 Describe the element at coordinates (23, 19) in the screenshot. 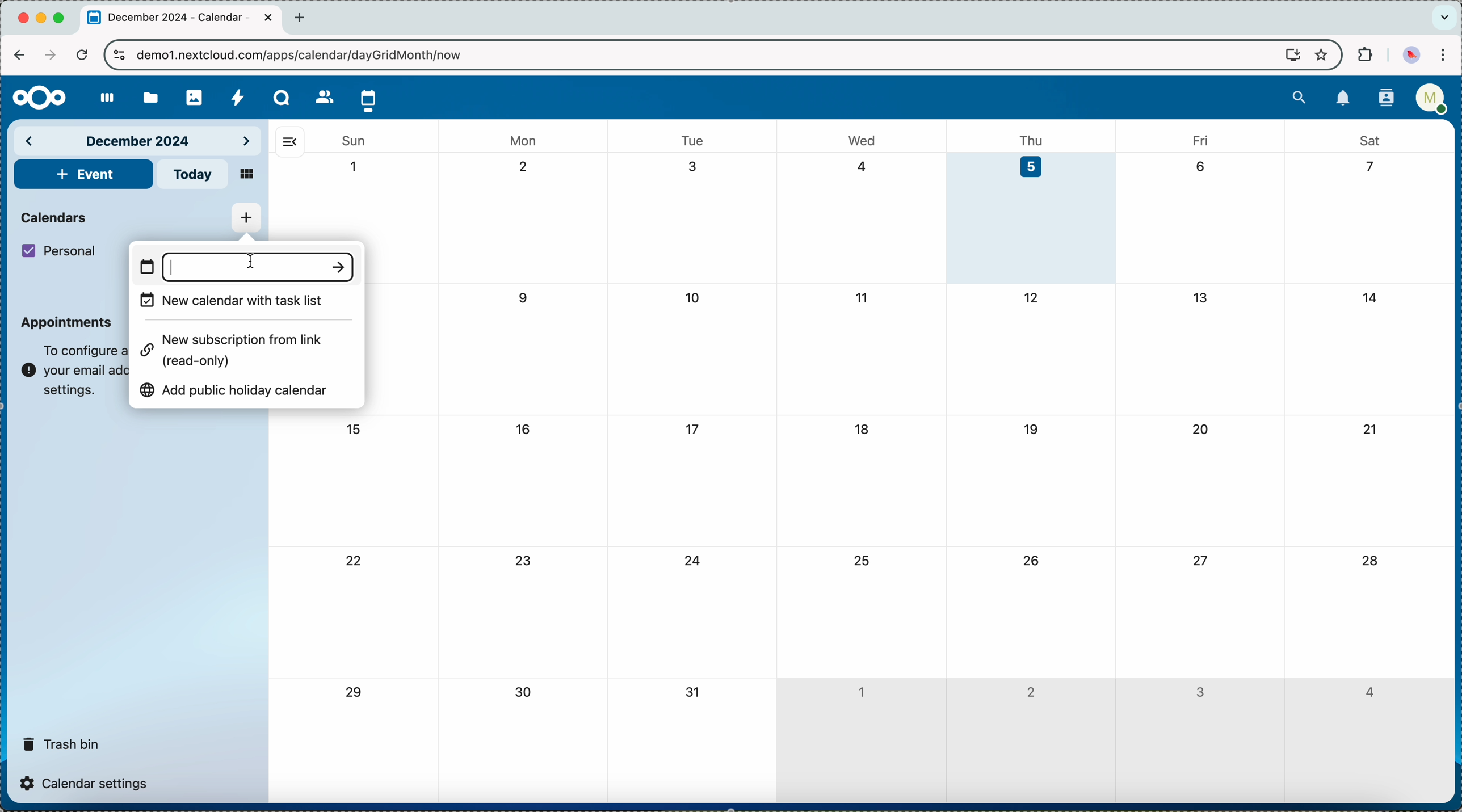

I see `close Chrome` at that location.